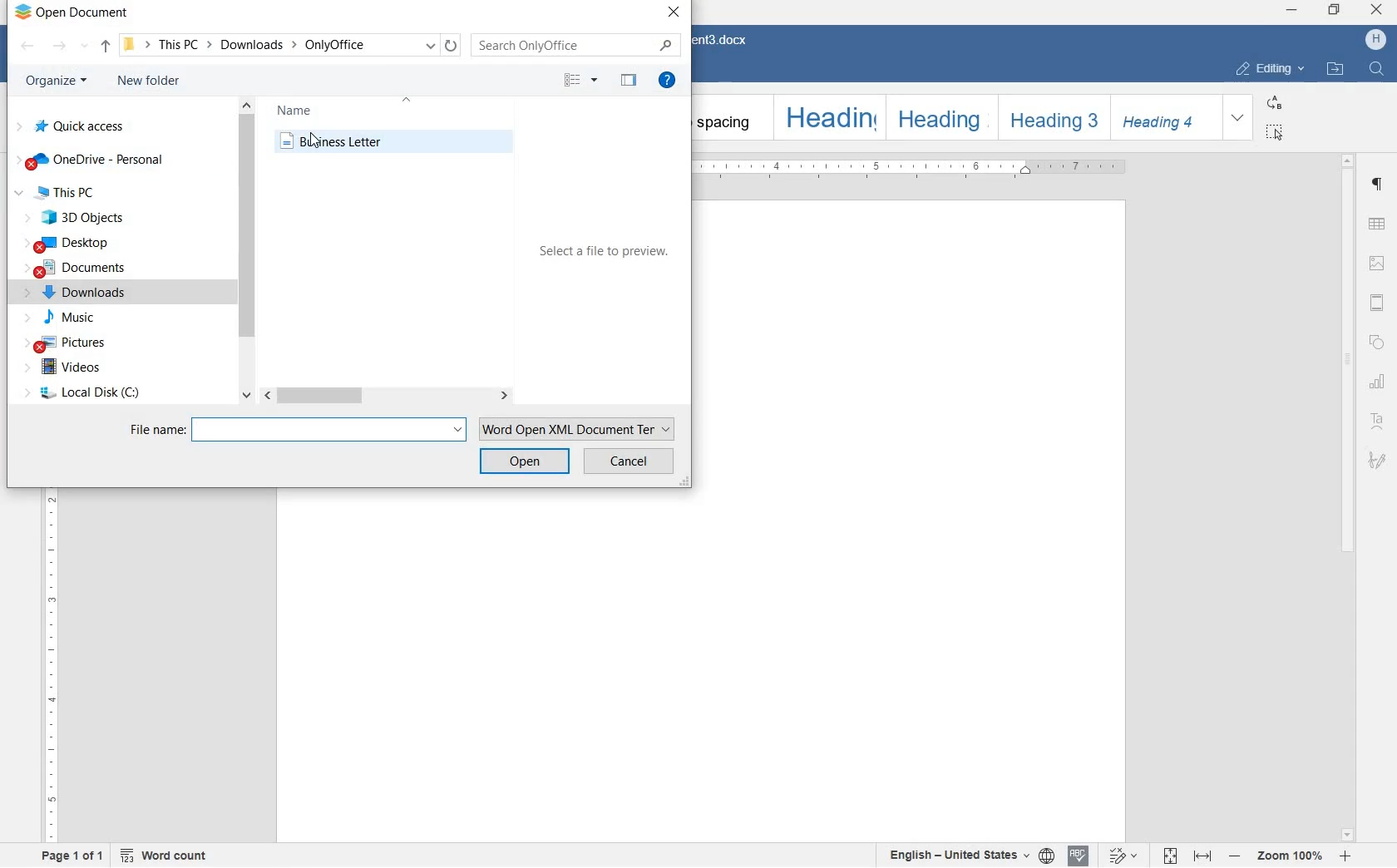 Image resolution: width=1397 pixels, height=868 pixels. Describe the element at coordinates (72, 858) in the screenshot. I see `page 1 of 1` at that location.